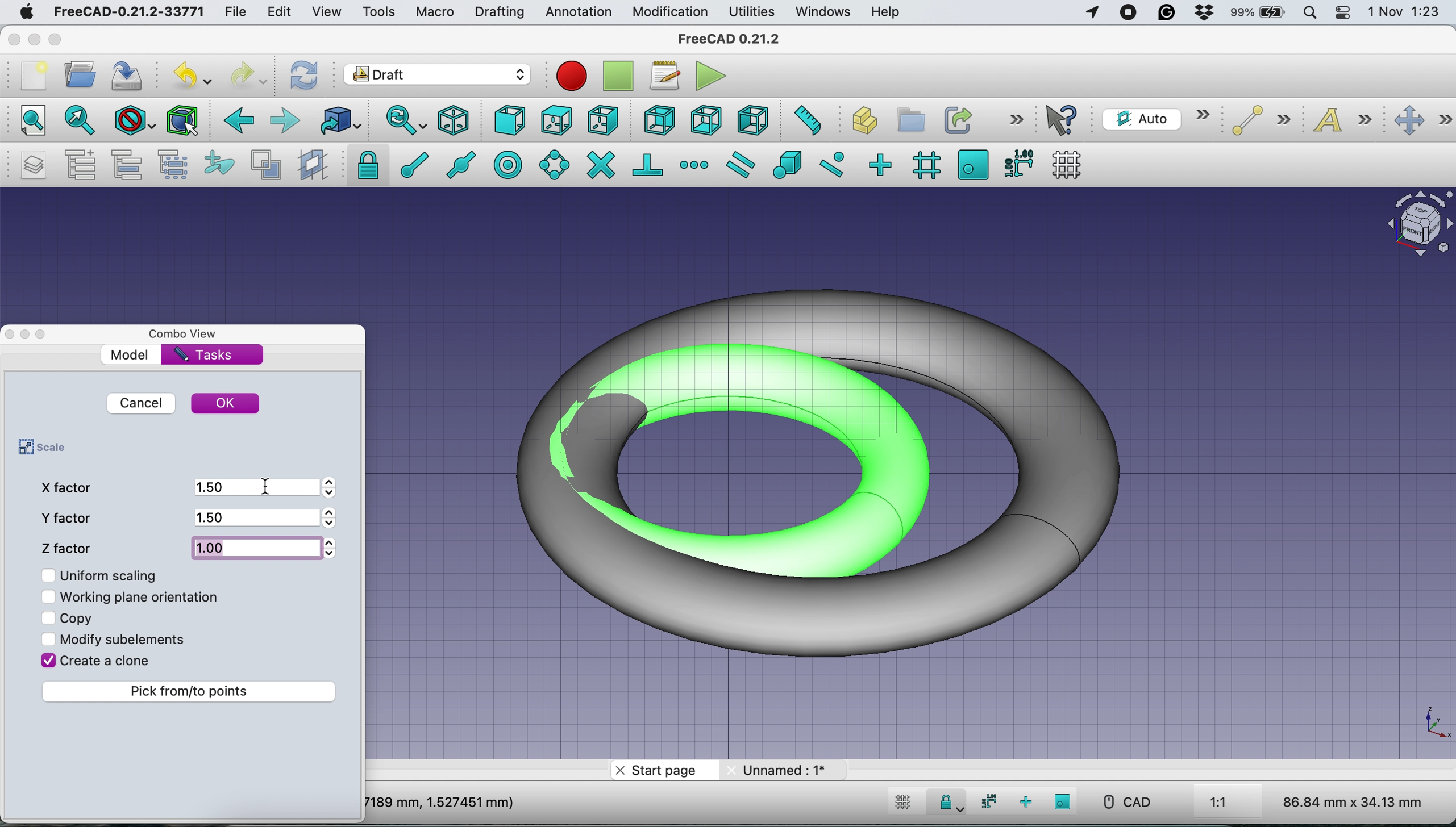 The height and width of the screenshot is (827, 1456). I want to click on 1.00, so click(256, 545).